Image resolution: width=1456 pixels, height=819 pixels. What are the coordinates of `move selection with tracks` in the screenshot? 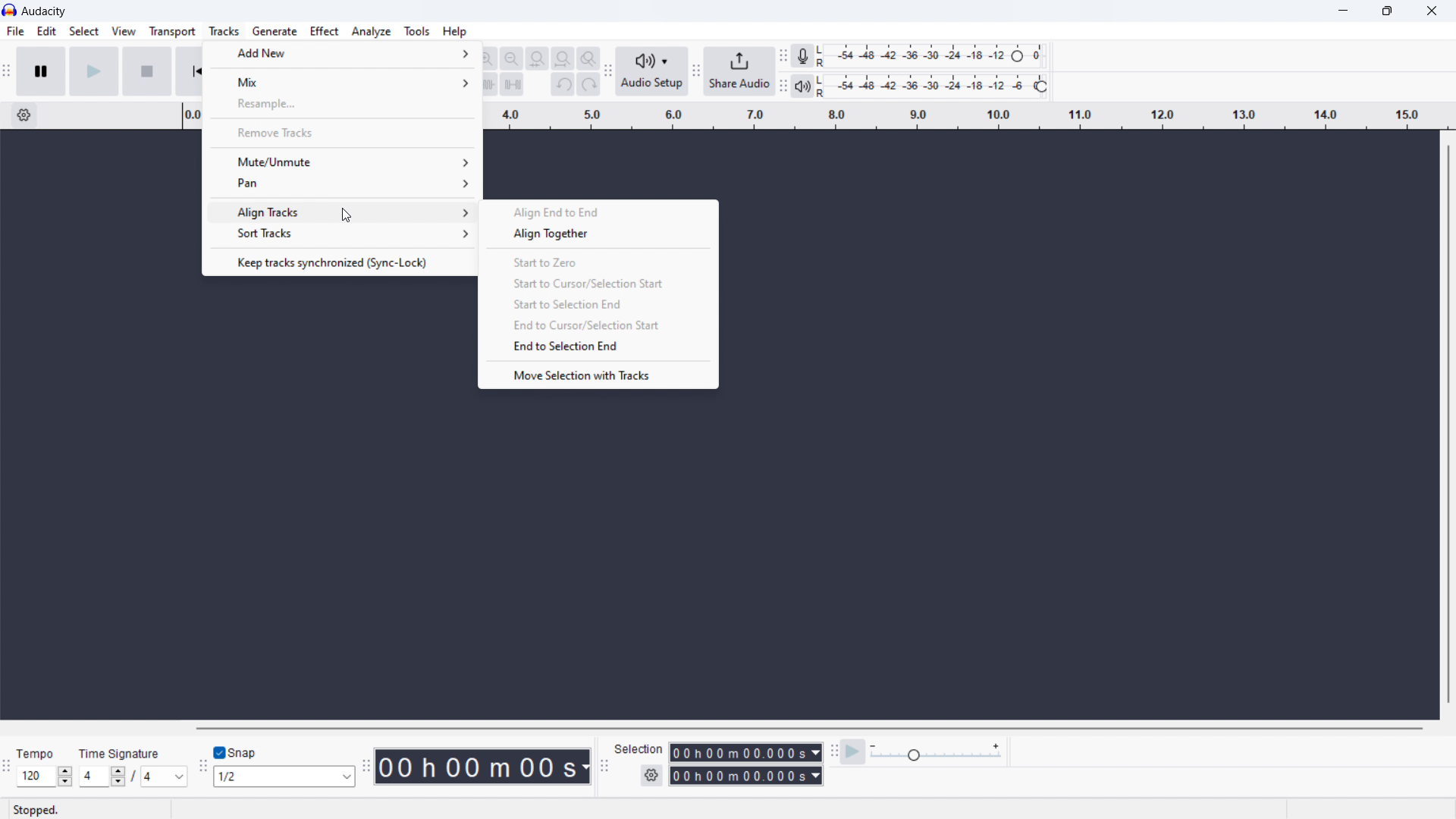 It's located at (598, 375).